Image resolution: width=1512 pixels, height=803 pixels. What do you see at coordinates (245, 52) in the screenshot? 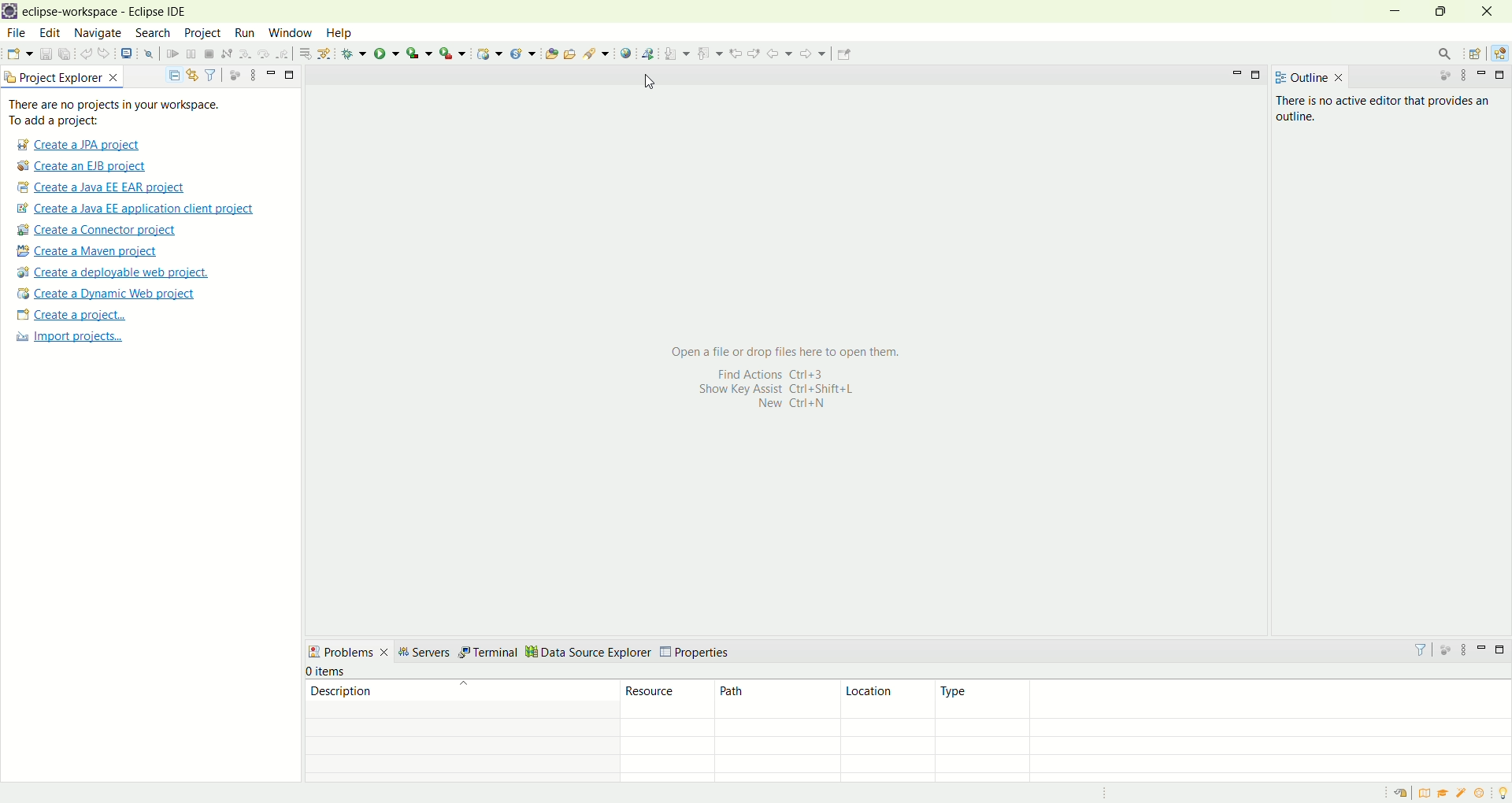
I see `step into` at bounding box center [245, 52].